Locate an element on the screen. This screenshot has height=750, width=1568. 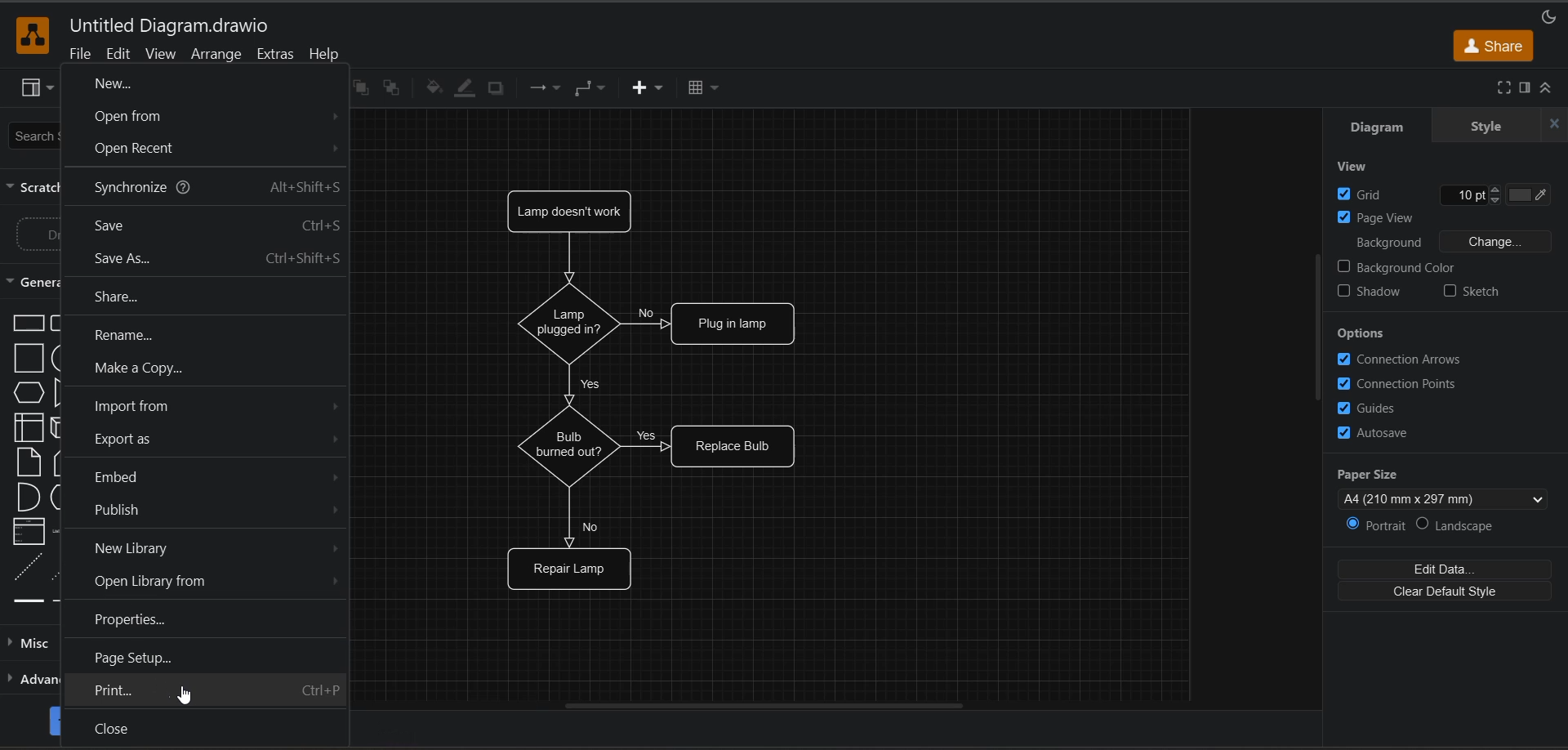
extras is located at coordinates (274, 55).